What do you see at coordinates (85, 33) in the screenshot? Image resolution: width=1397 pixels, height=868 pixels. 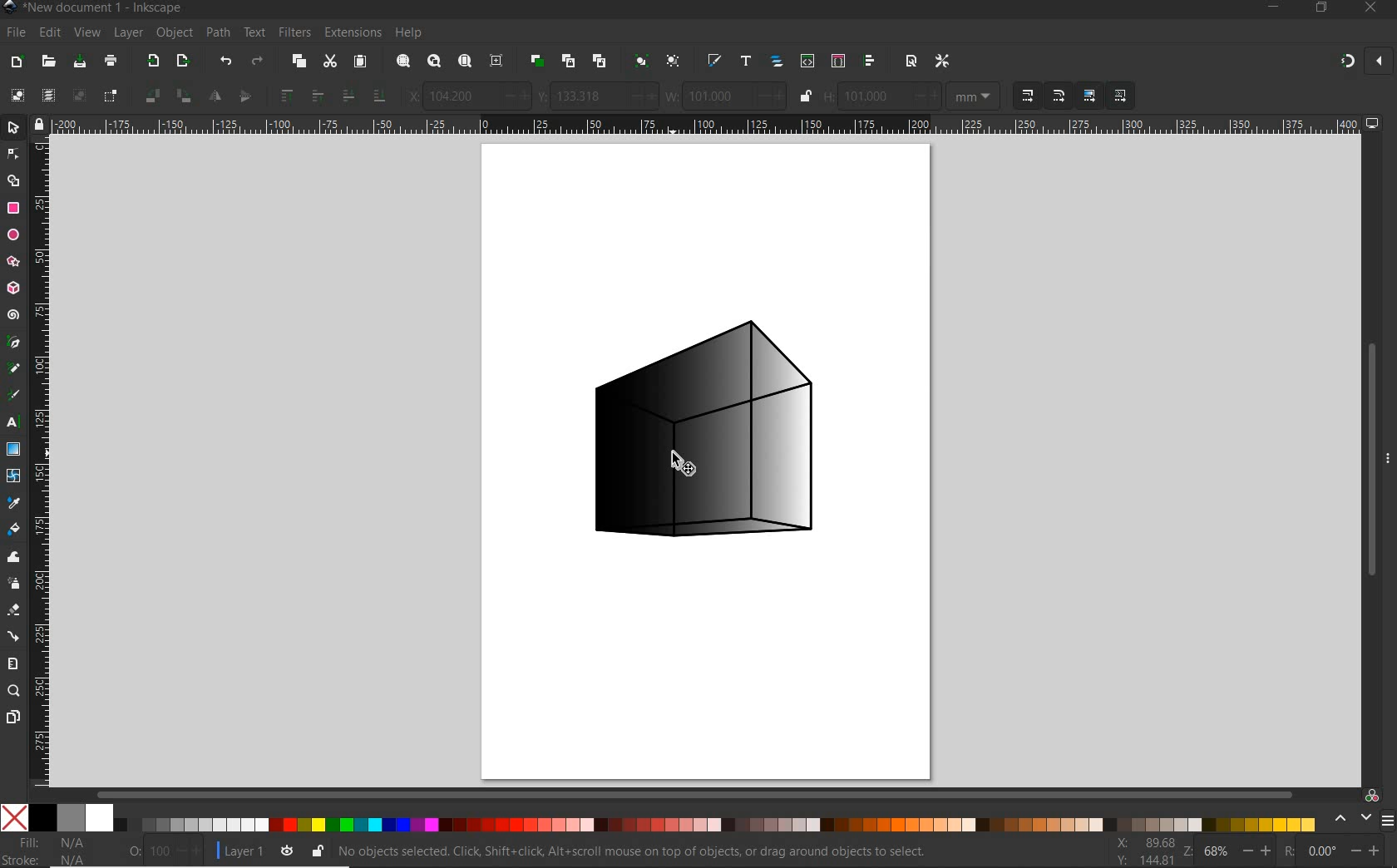 I see `VIEW` at bounding box center [85, 33].